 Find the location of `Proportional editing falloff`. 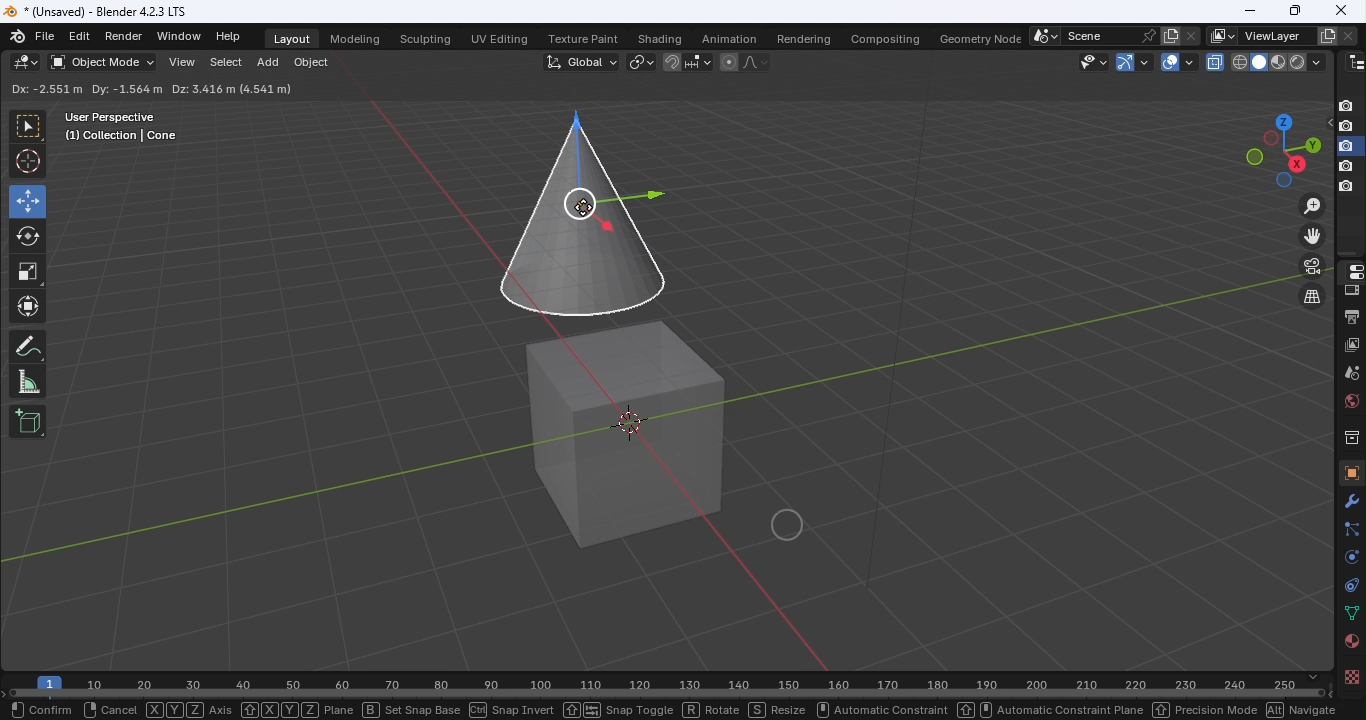

Proportional editing falloff is located at coordinates (757, 64).